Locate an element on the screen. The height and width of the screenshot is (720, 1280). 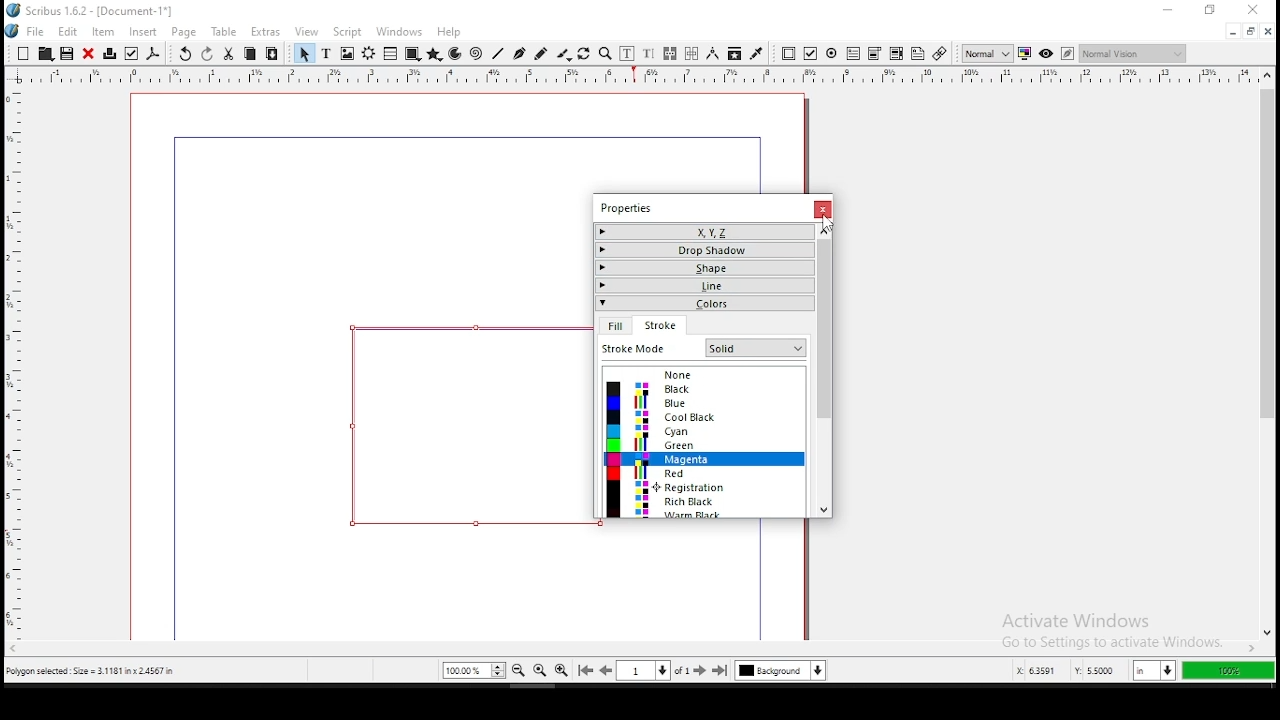
vertical ruler is located at coordinates (640, 75).